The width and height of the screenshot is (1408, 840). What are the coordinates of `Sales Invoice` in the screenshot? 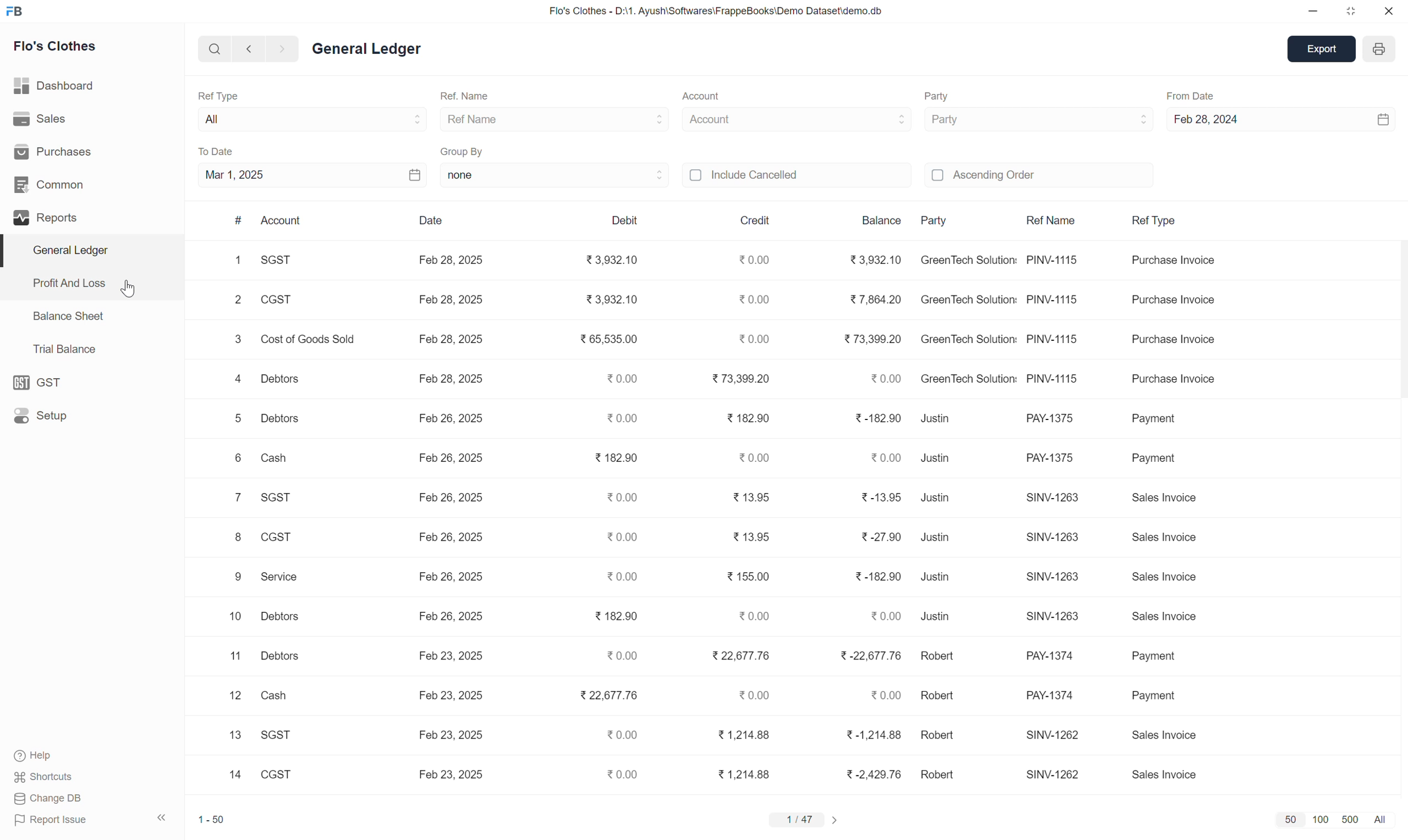 It's located at (1161, 618).